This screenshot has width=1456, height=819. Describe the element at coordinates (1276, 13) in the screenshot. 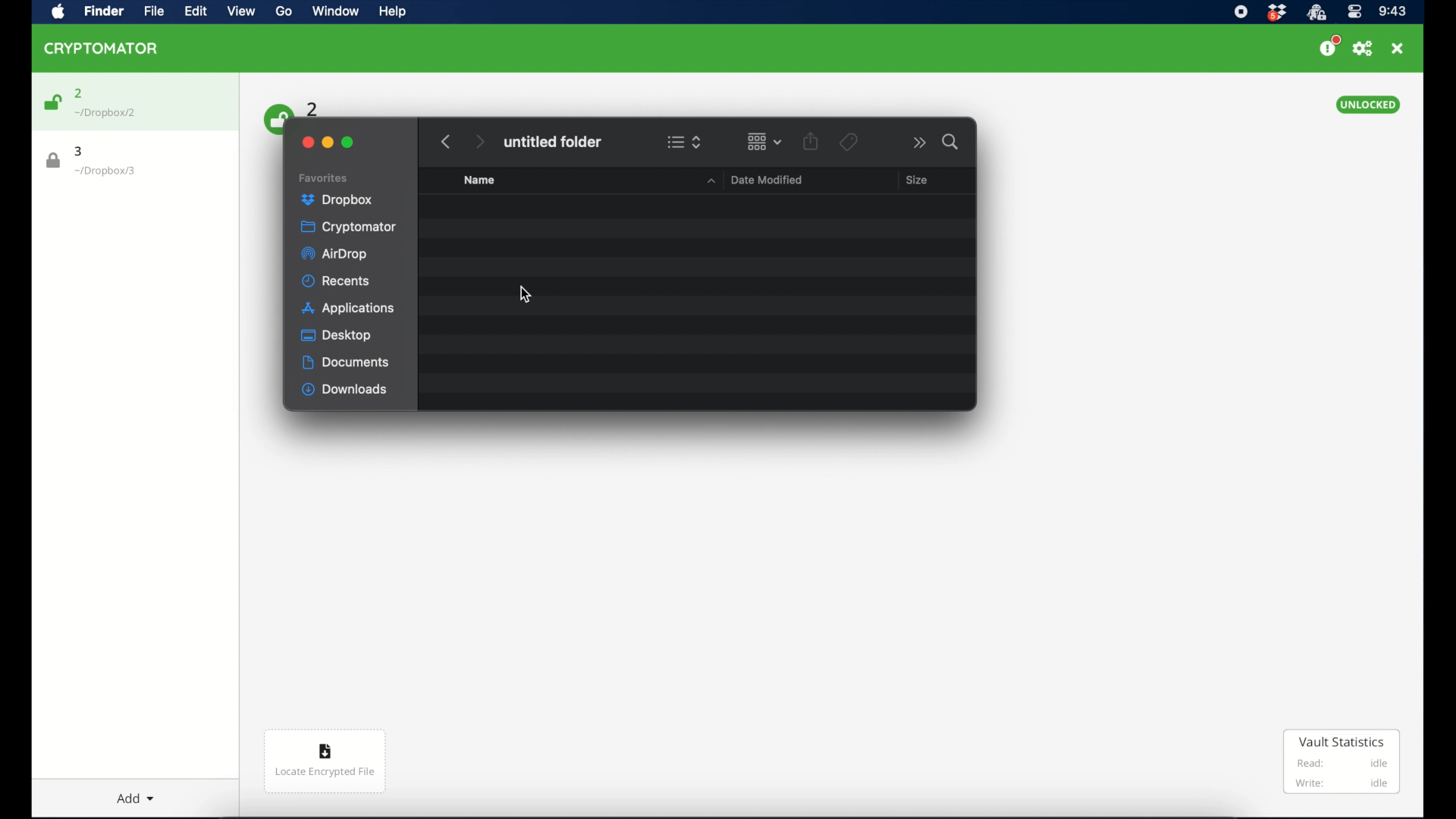

I see `dropbox icon` at that location.